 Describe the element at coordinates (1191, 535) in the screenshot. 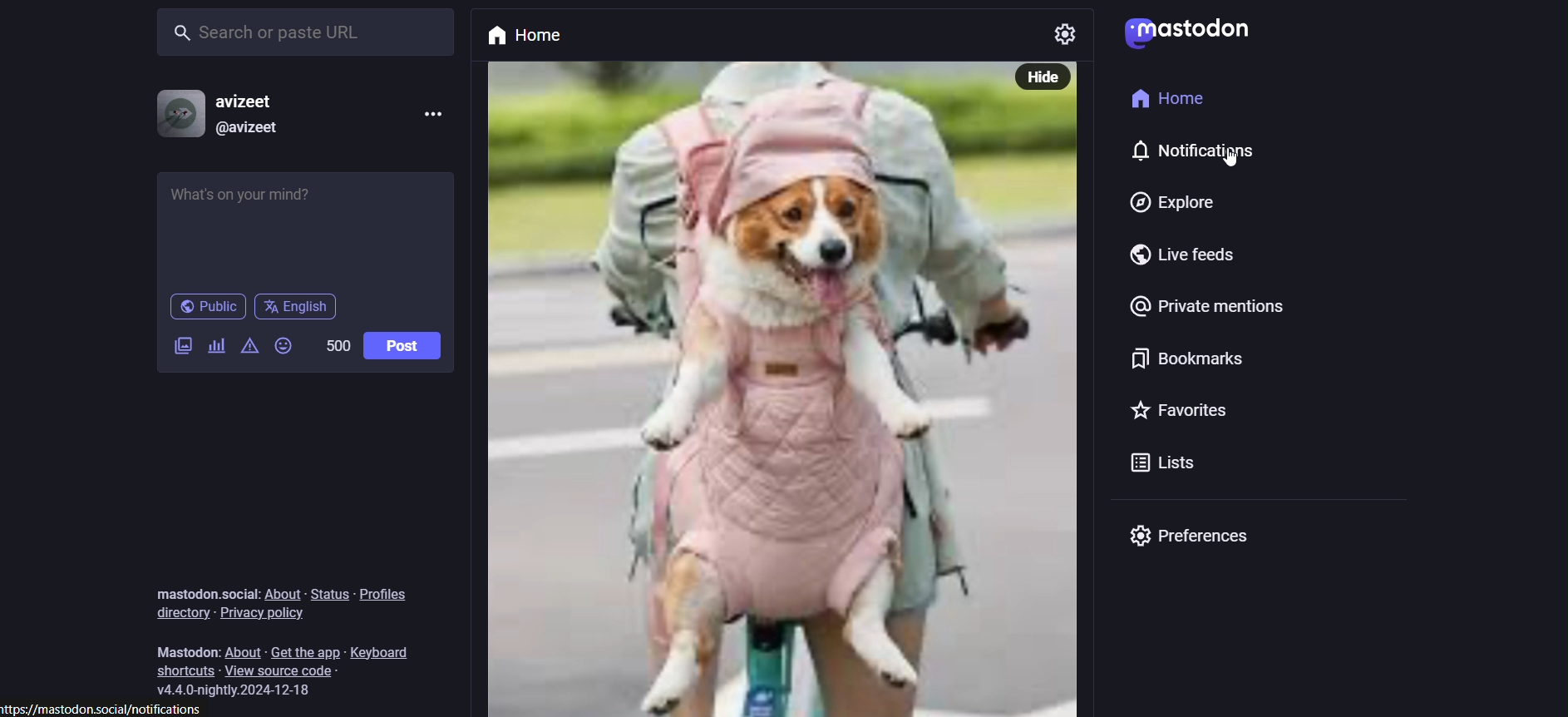

I see `preferences` at that location.